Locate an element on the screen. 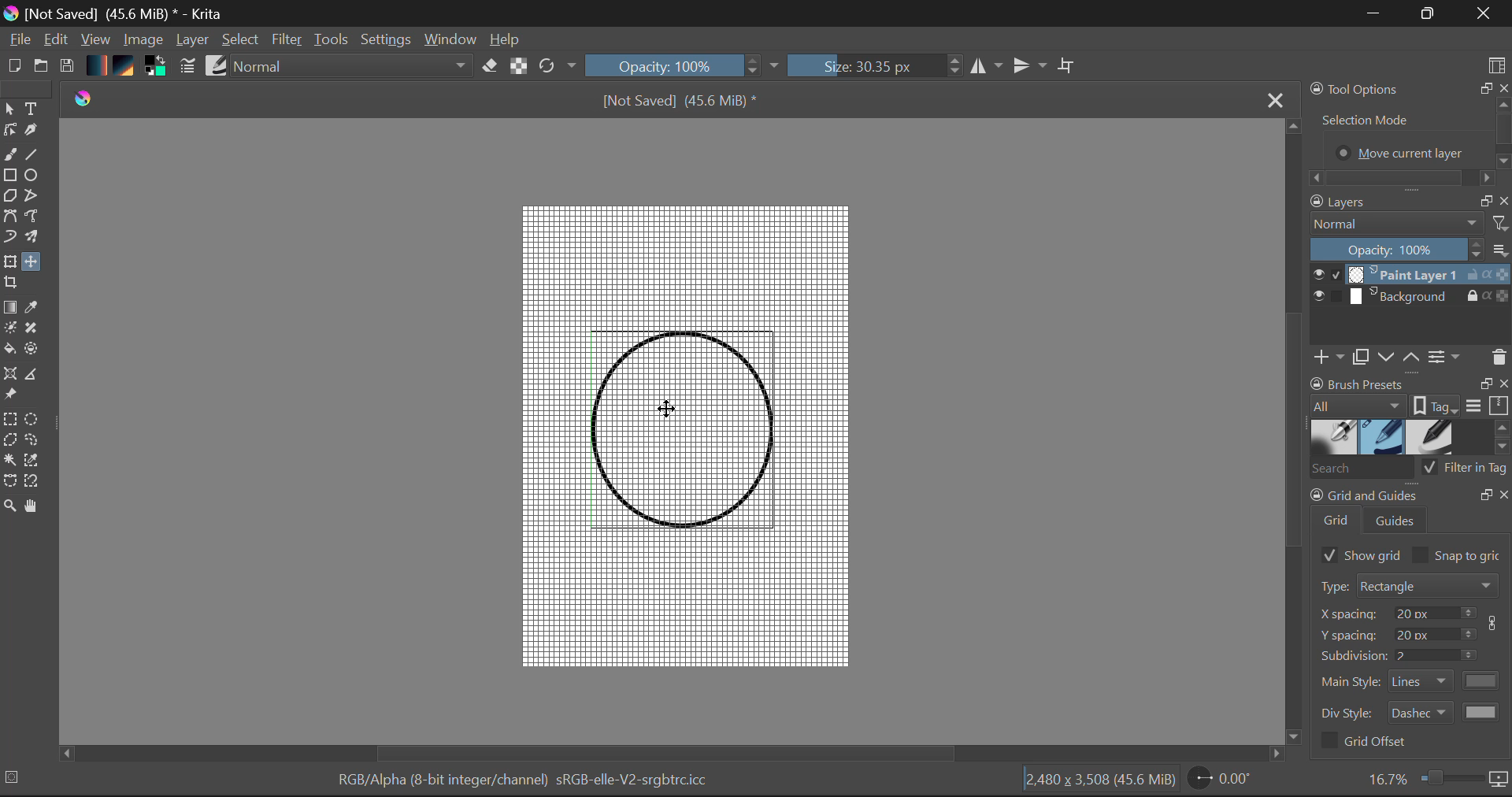 This screenshot has width=1512, height=797. Gradient is located at coordinates (98, 65).